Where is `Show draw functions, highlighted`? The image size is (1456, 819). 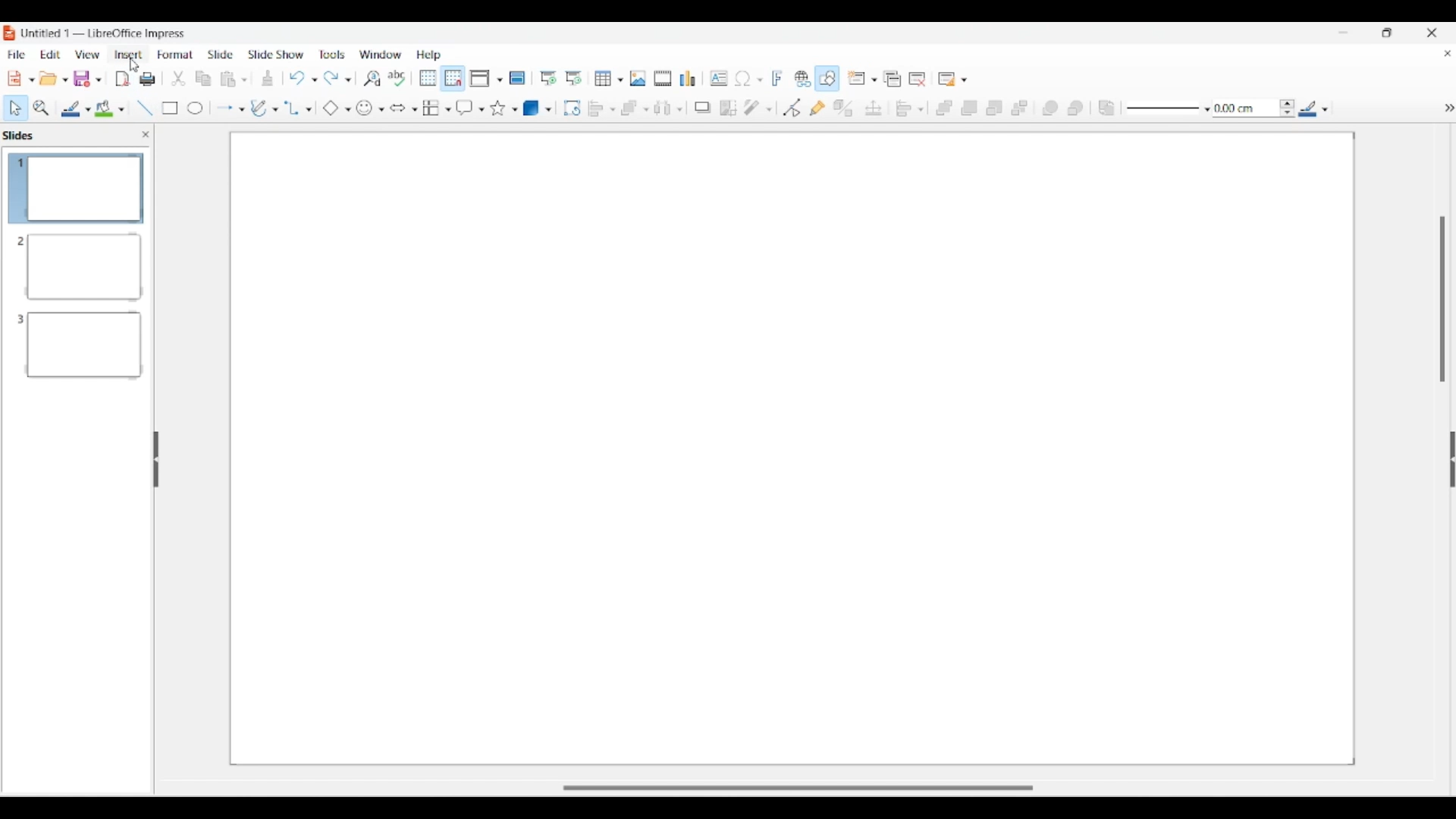 Show draw functions, highlighted is located at coordinates (826, 78).